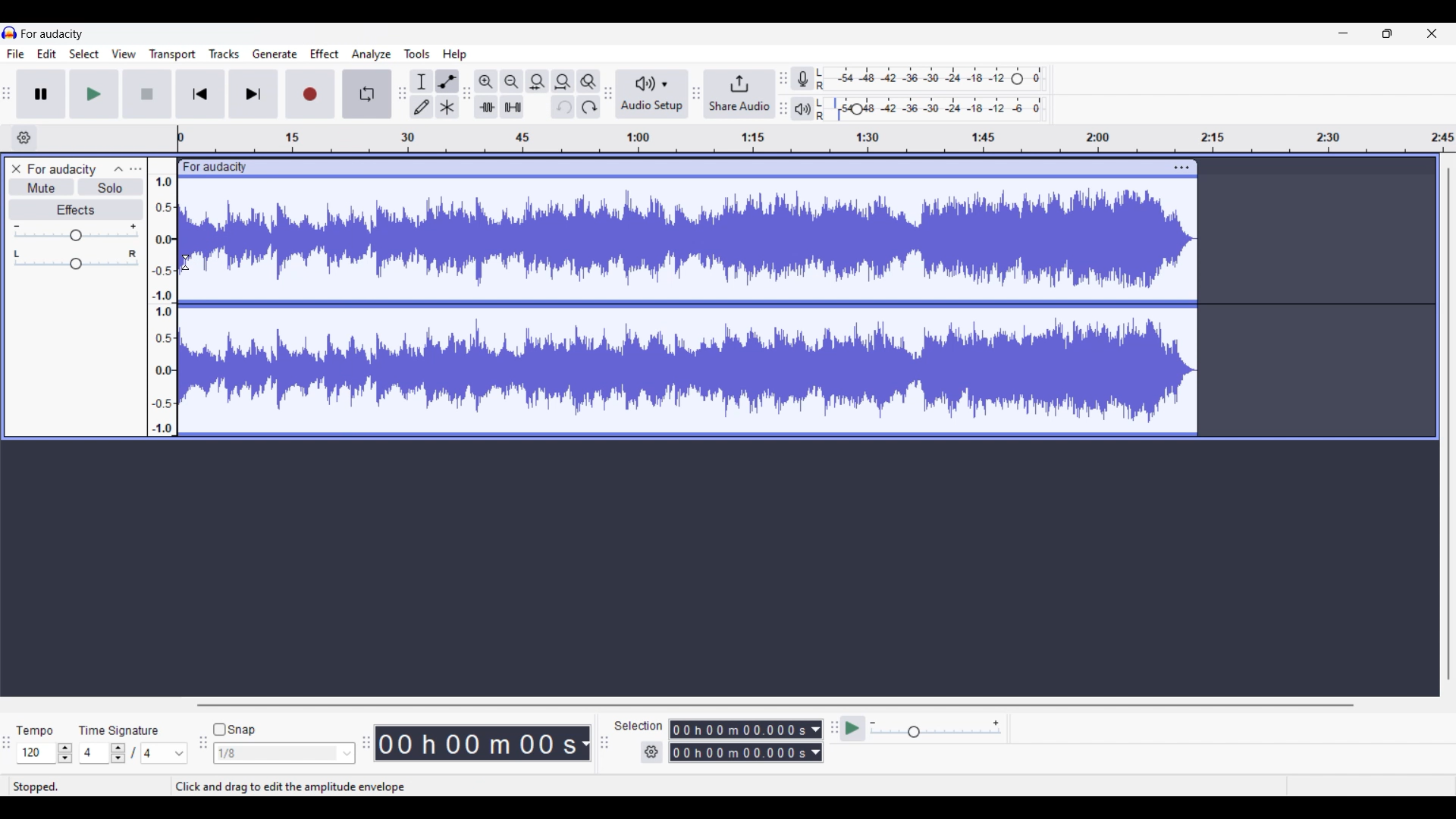 This screenshot has height=819, width=1456. What do you see at coordinates (42, 189) in the screenshot?
I see `Mute` at bounding box center [42, 189].